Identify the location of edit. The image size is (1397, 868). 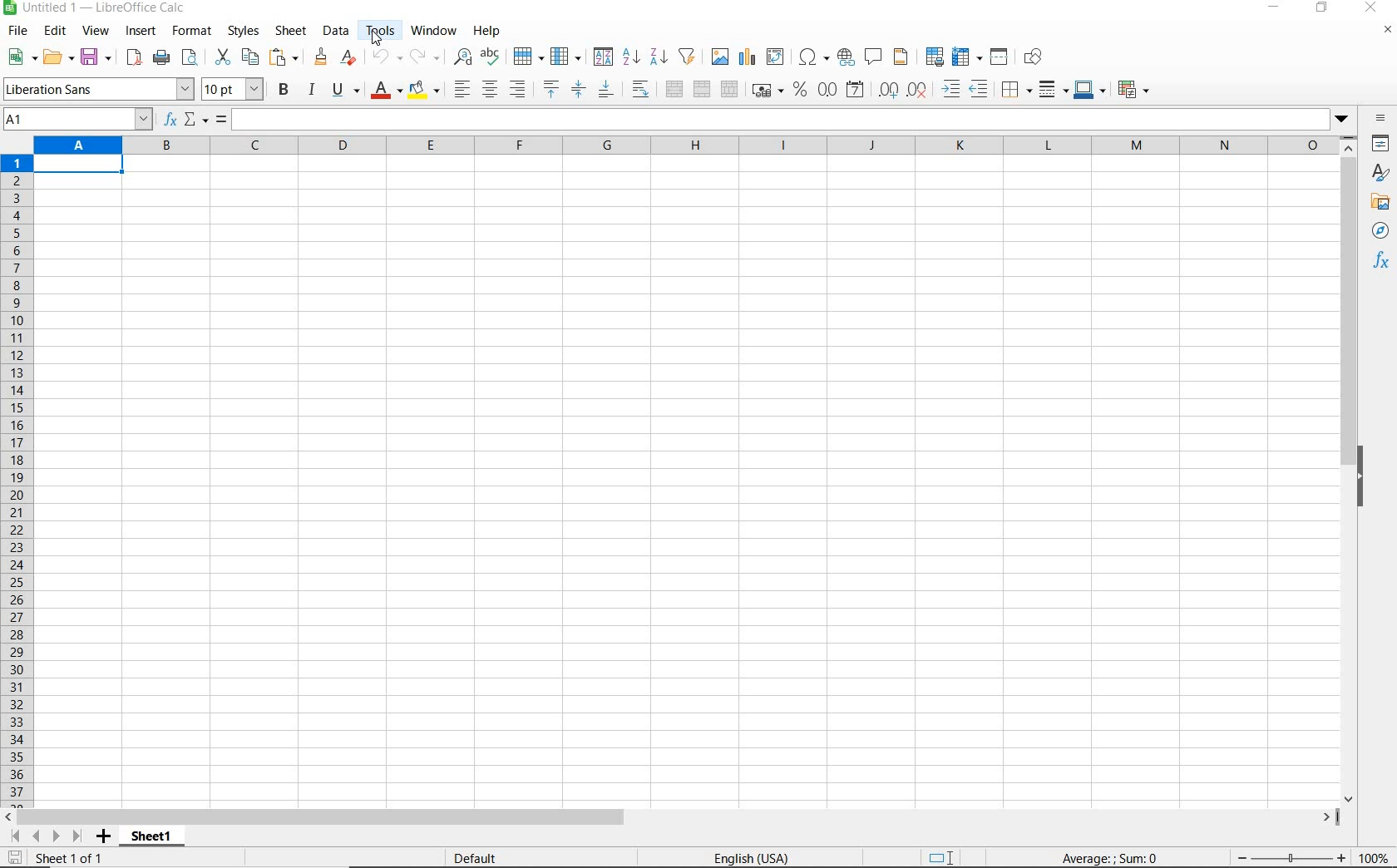
(55, 31).